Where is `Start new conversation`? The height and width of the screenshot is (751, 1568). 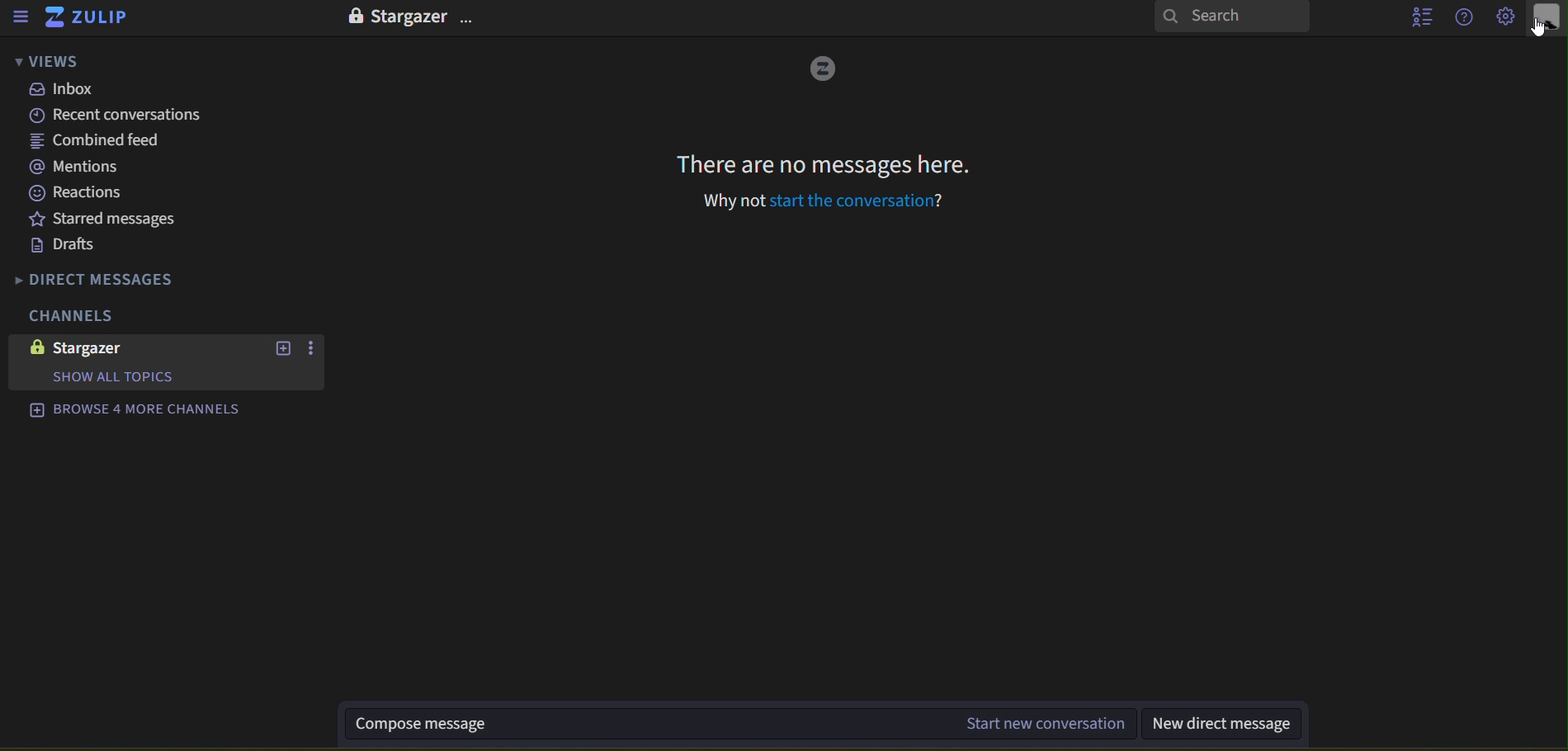
Start new conversation is located at coordinates (1043, 724).